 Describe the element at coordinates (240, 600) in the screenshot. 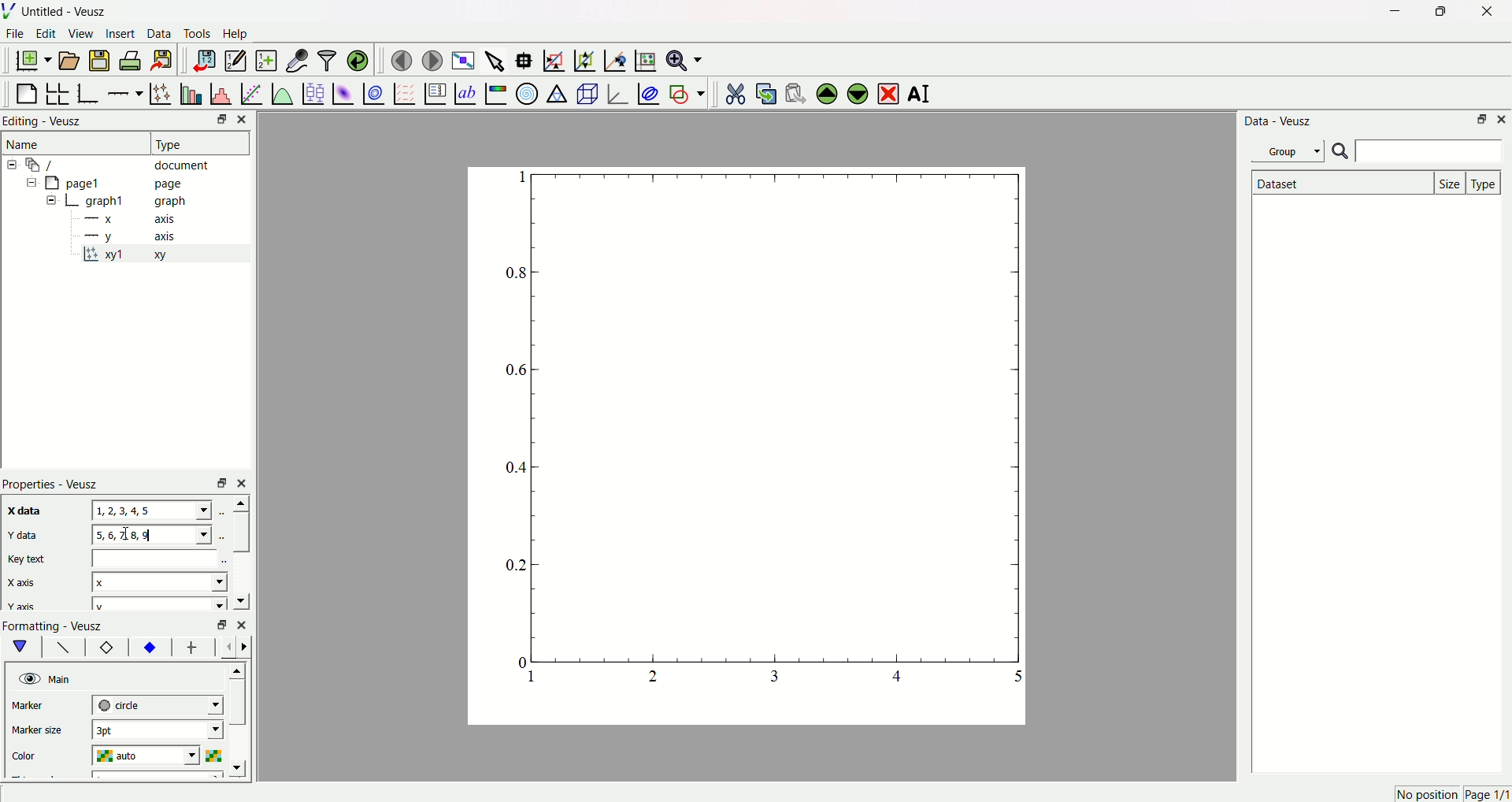

I see `move down` at that location.